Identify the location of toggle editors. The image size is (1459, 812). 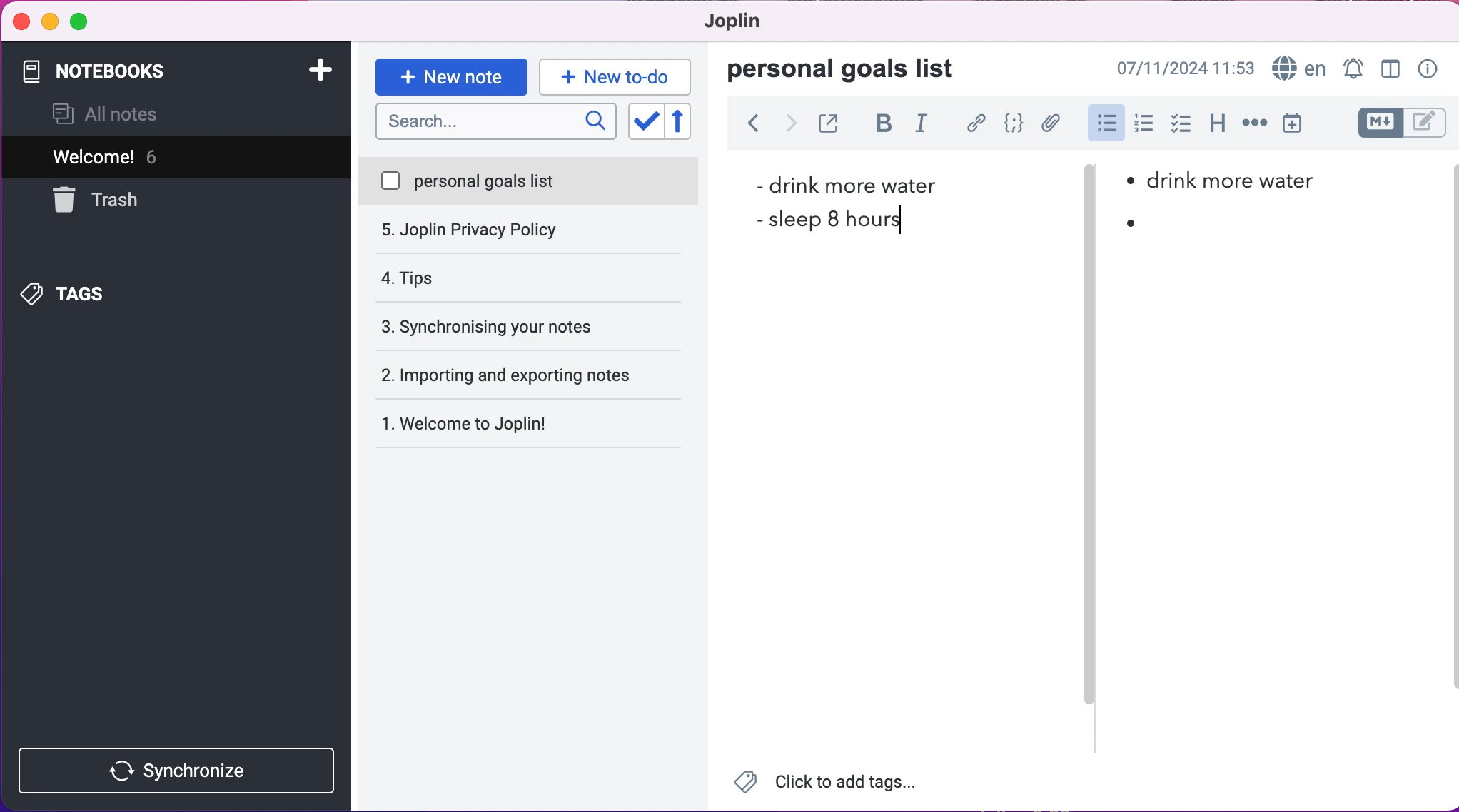
(1389, 123).